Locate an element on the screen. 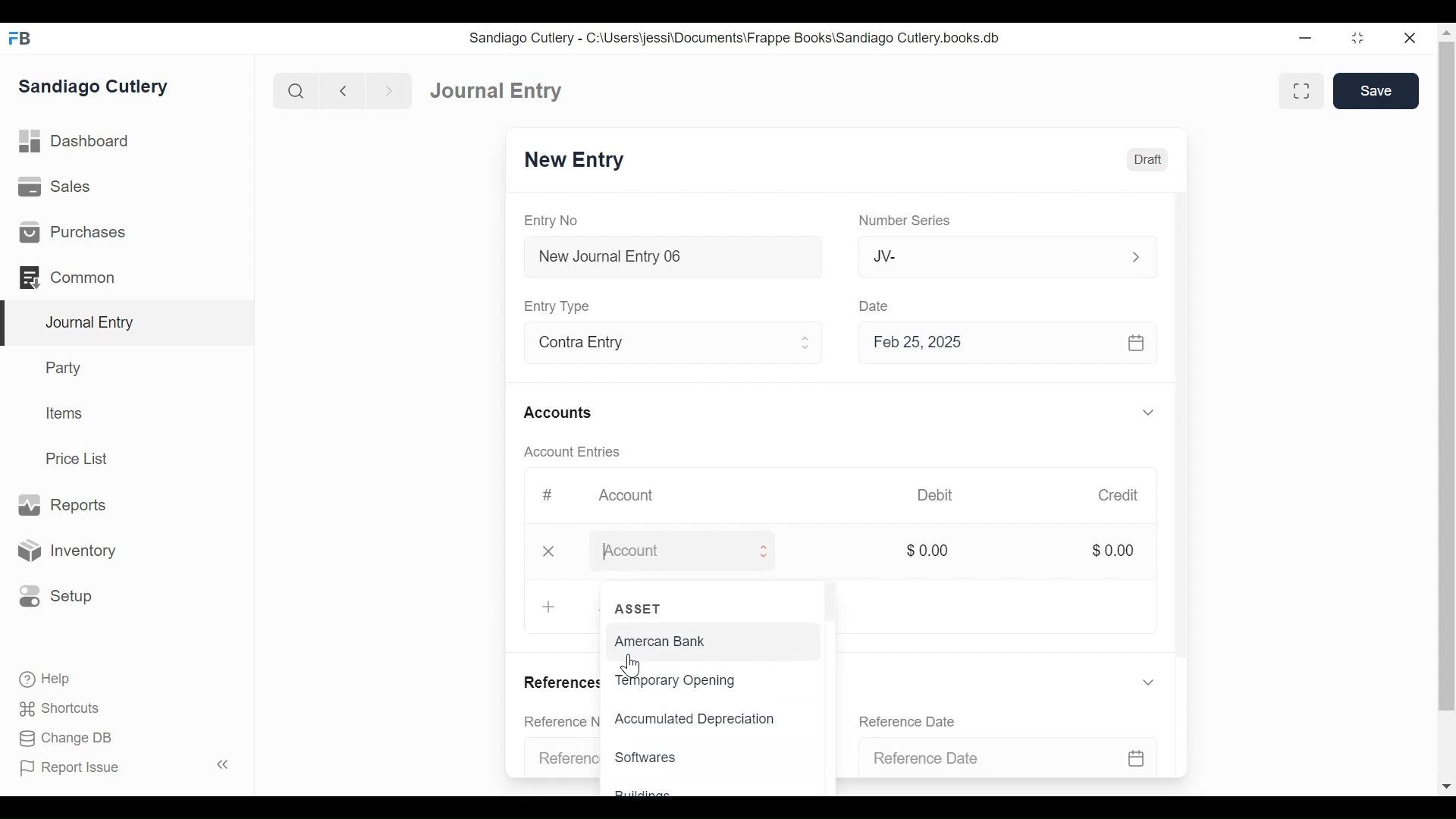 The height and width of the screenshot is (819, 1456). Vertical Scroll bar is located at coordinates (1184, 434).